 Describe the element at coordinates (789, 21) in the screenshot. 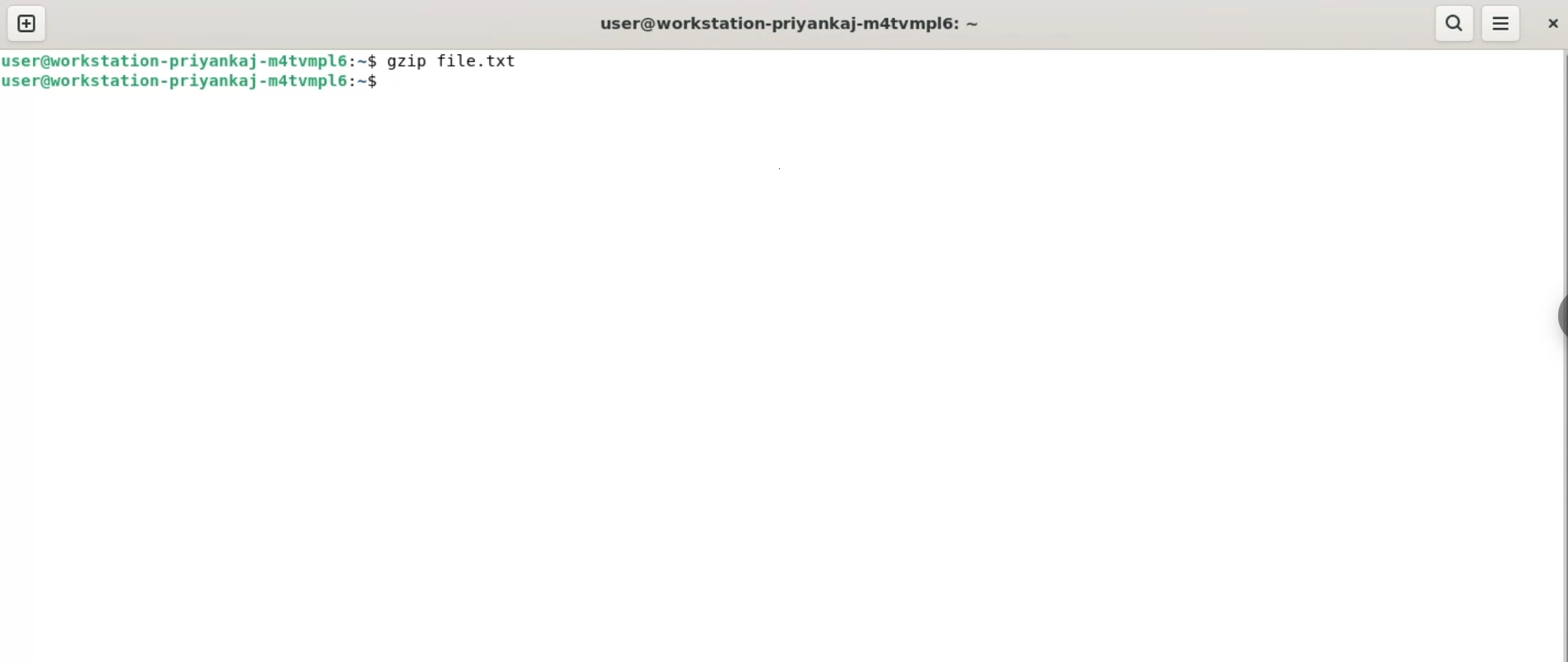

I see `user@workstation-priyankaj-m4tvmpl6: ~` at that location.